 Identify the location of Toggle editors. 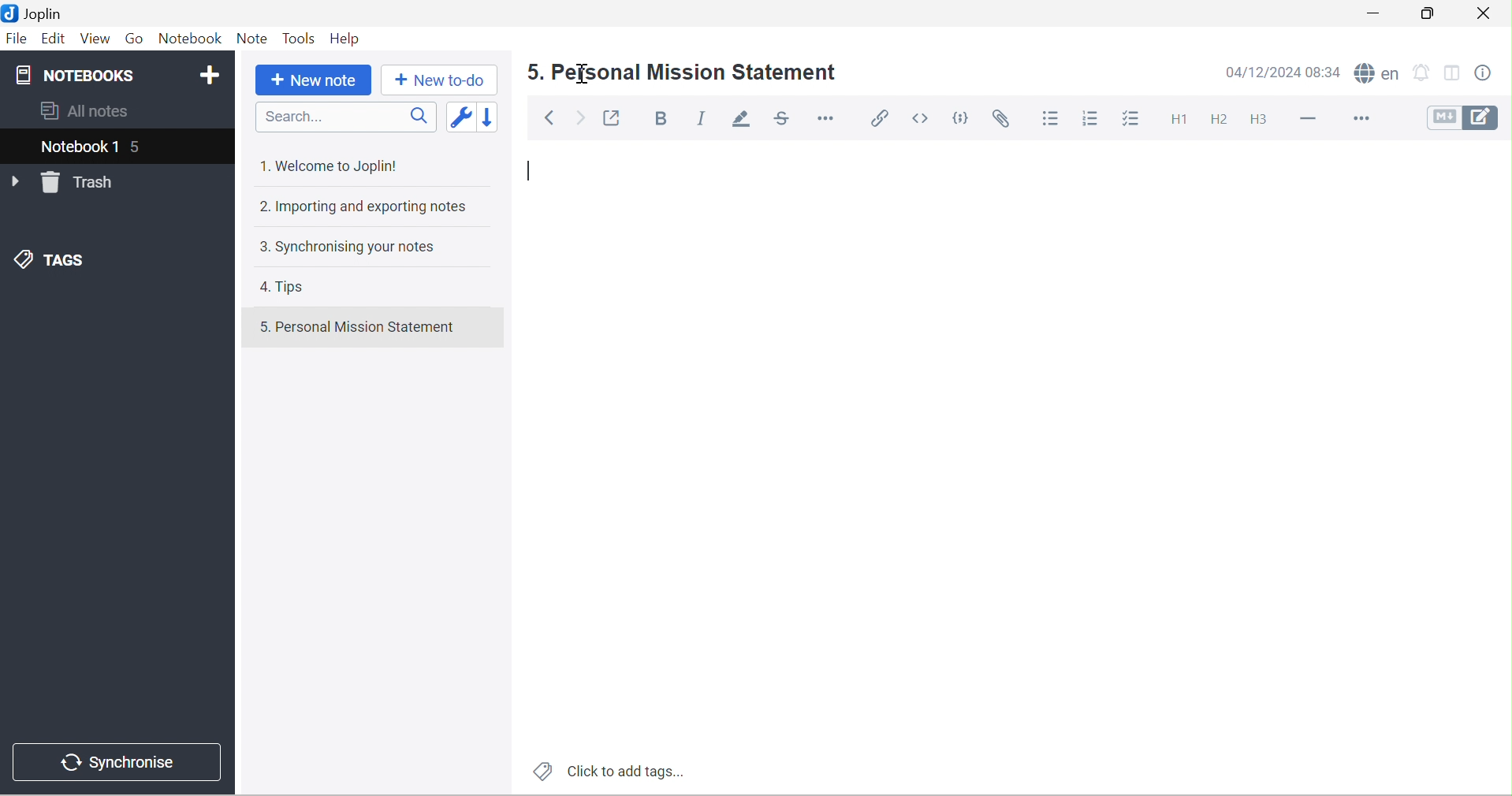
(1462, 117).